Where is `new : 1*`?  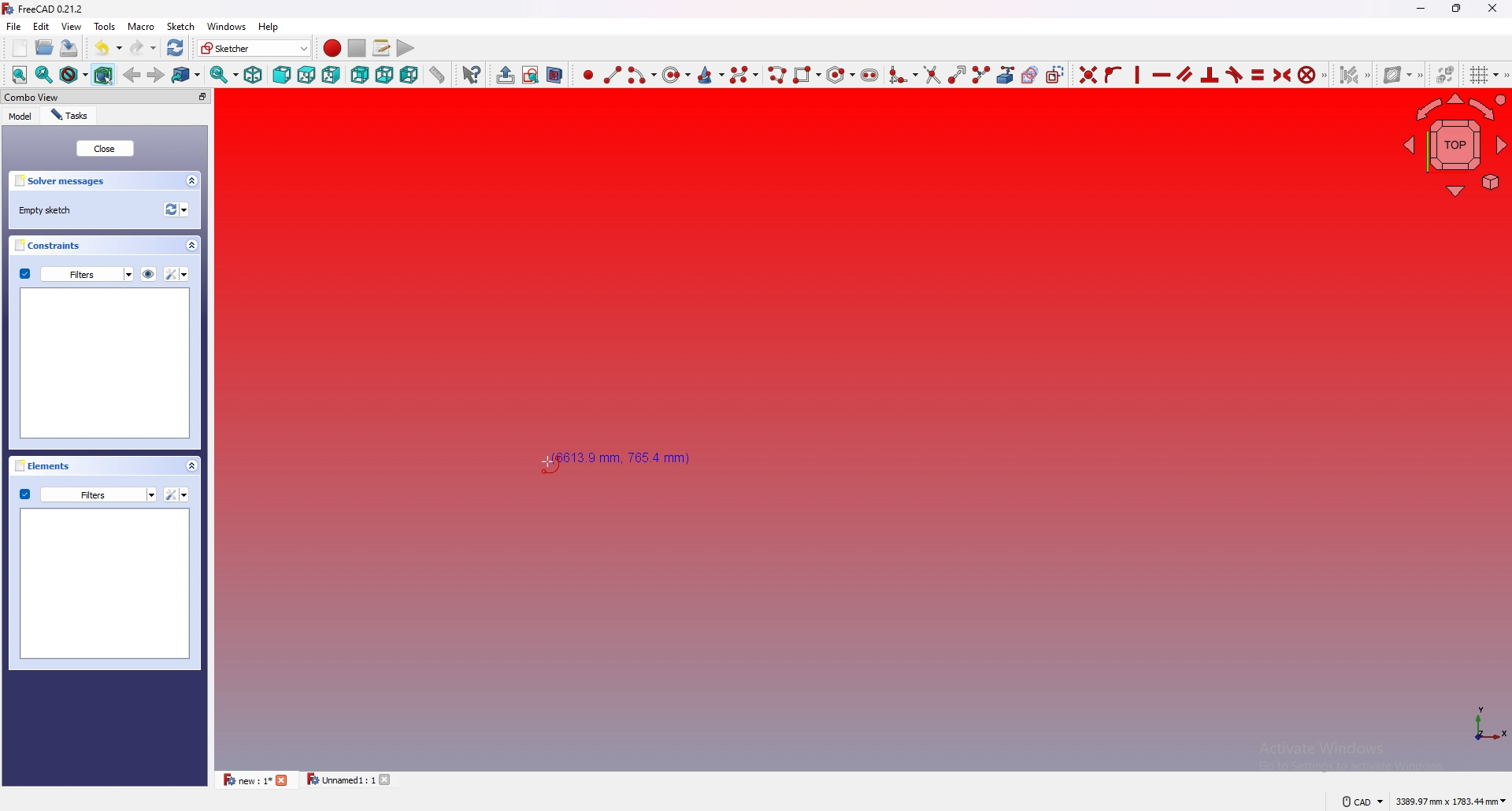 new : 1* is located at coordinates (246, 780).